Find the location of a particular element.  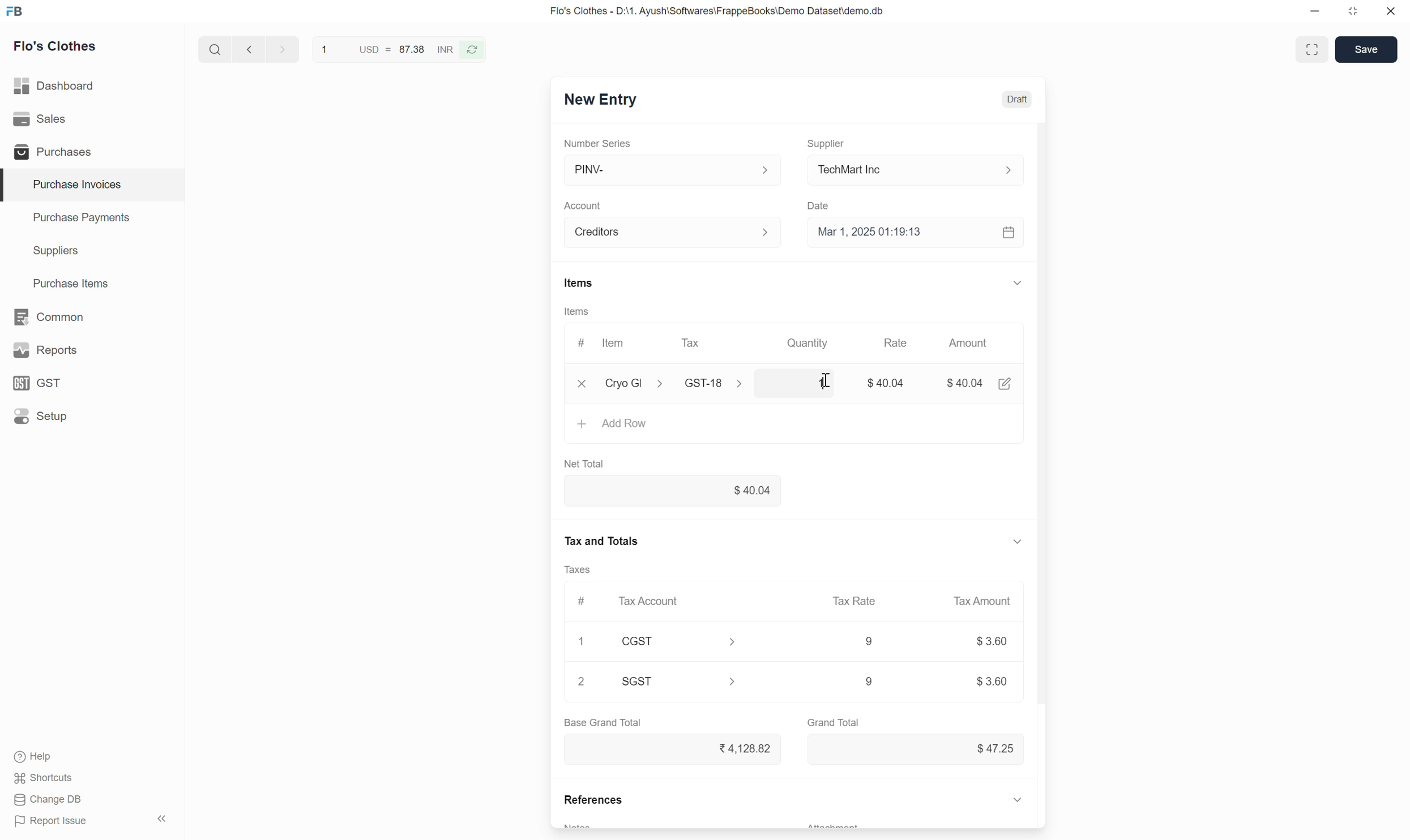

Purchase Payments is located at coordinates (80, 220).